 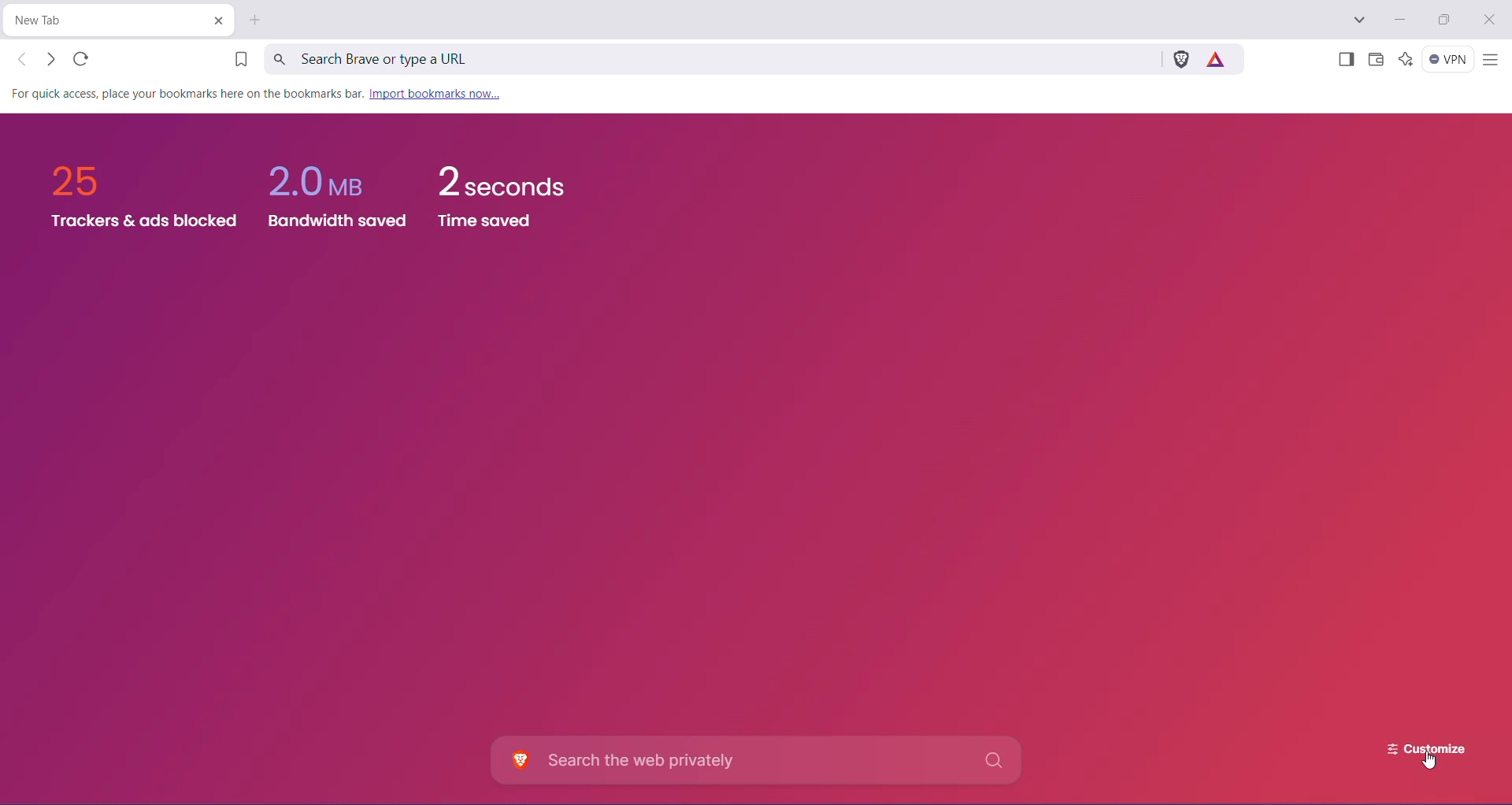 What do you see at coordinates (1430, 766) in the screenshot?
I see `cursor` at bounding box center [1430, 766].